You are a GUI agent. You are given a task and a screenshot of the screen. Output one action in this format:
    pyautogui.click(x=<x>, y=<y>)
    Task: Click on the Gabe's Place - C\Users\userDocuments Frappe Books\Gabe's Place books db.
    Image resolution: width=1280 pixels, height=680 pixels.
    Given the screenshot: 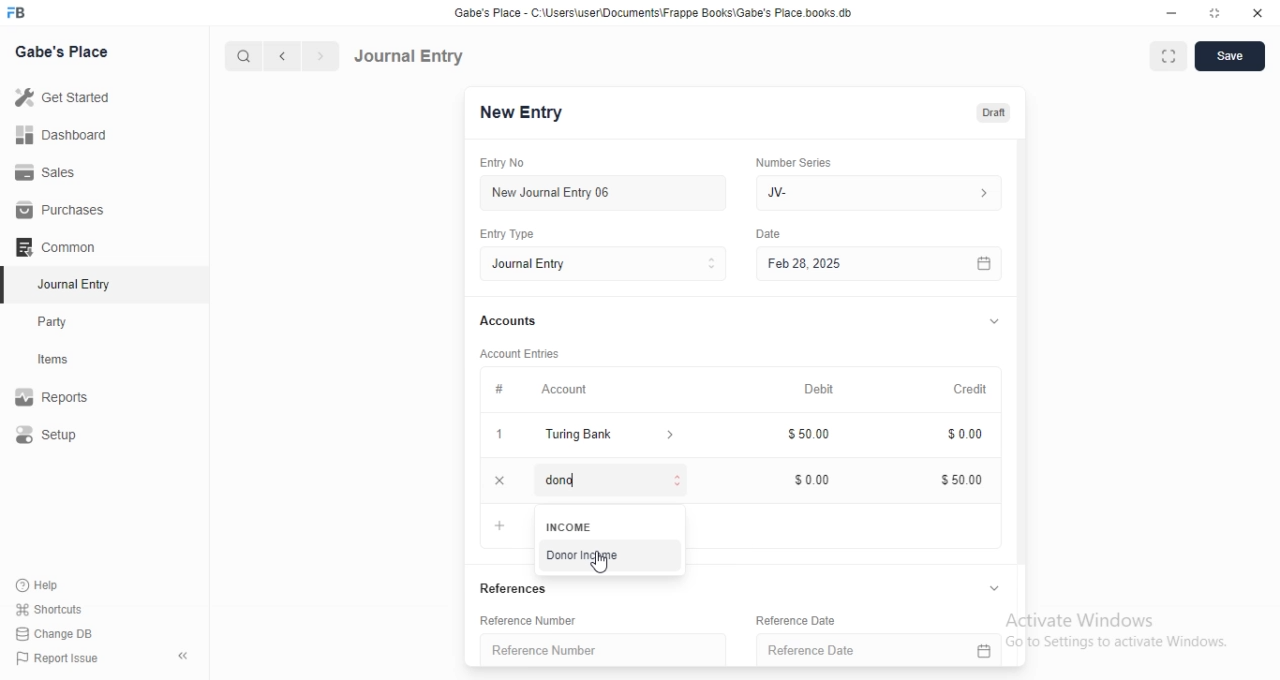 What is the action you would take?
    pyautogui.click(x=654, y=13)
    